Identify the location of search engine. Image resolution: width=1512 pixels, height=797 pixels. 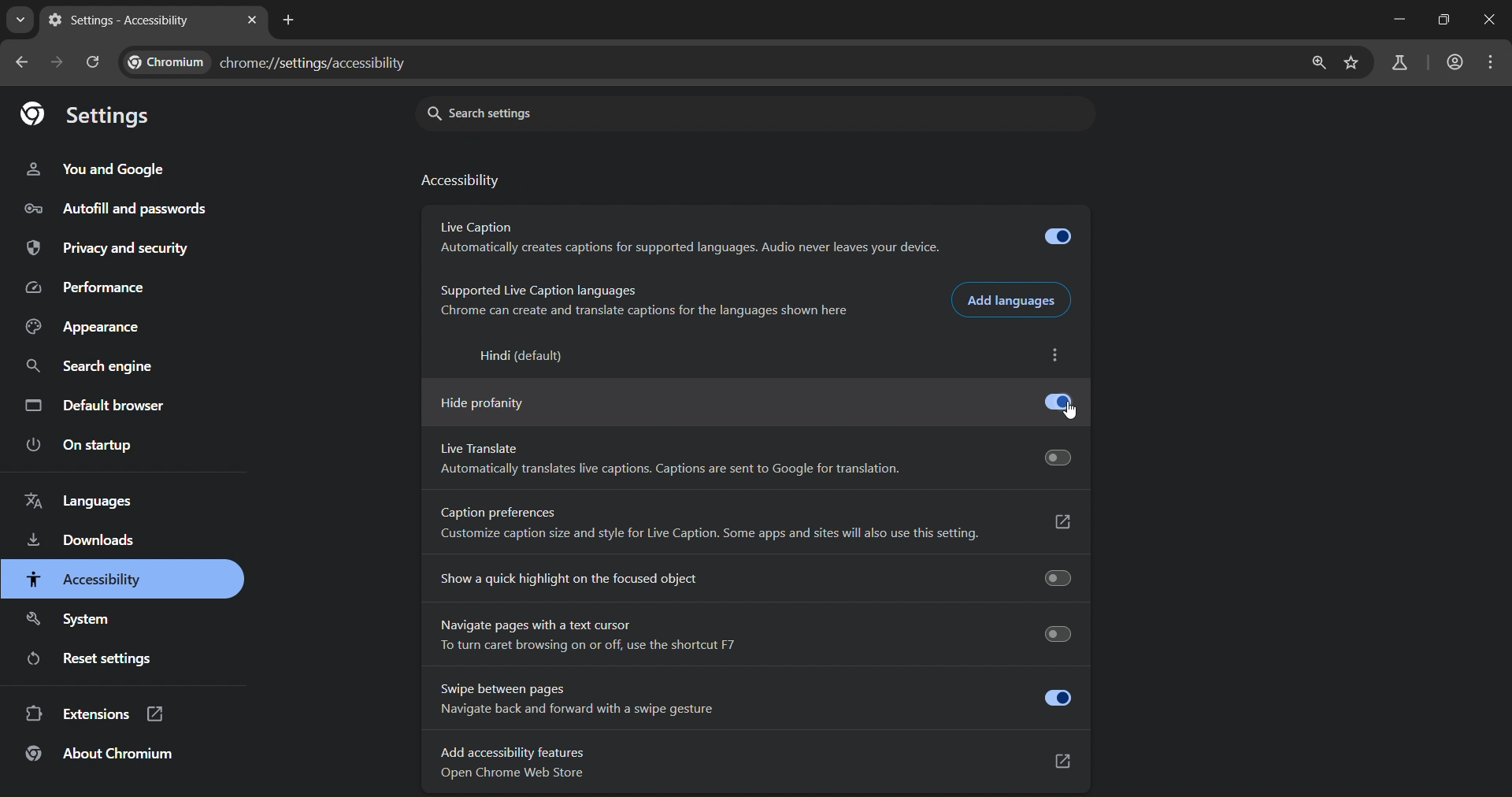
(90, 366).